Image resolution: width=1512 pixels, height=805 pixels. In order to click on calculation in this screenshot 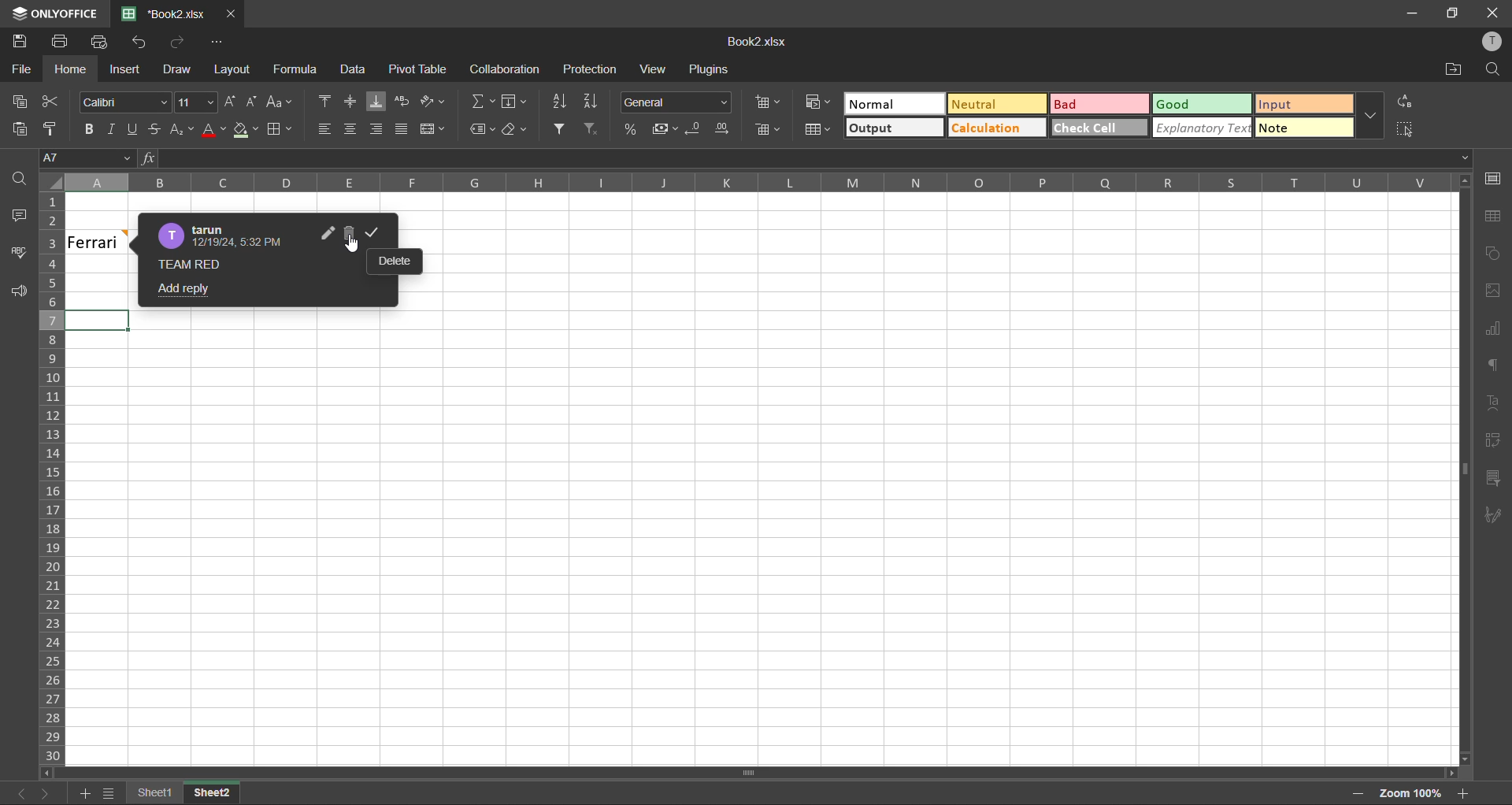, I will do `click(996, 129)`.